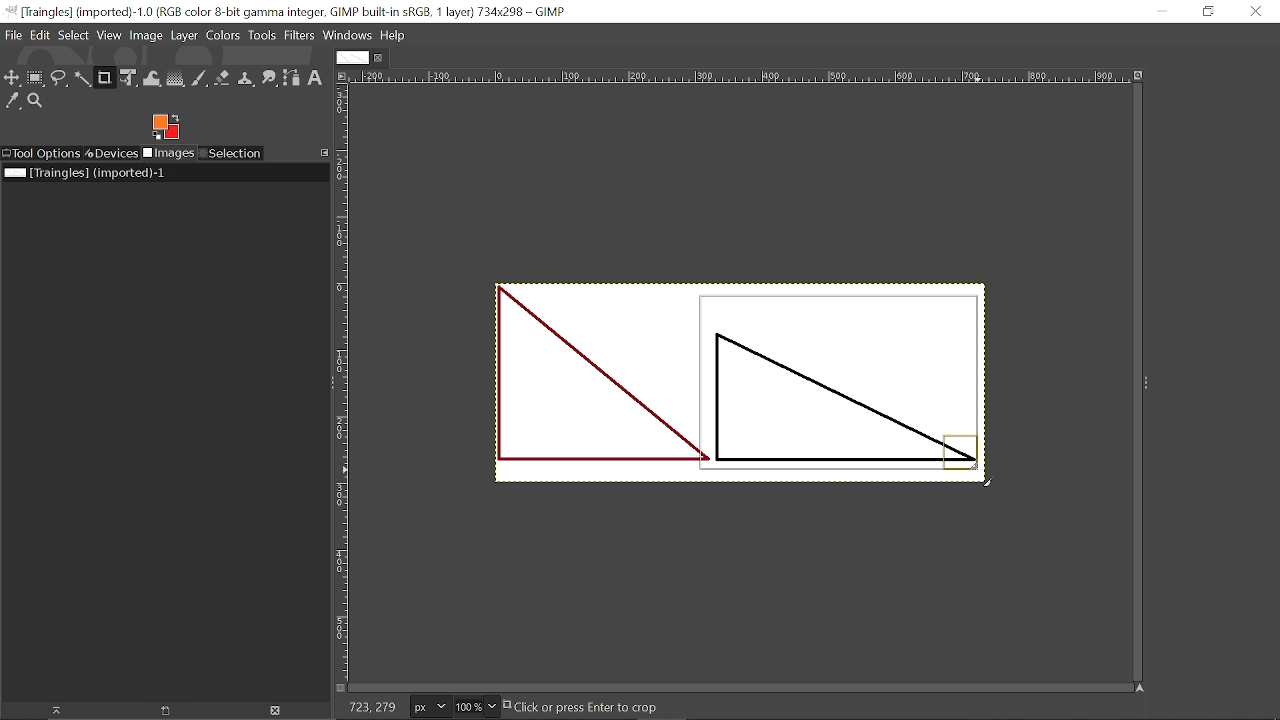 Image resolution: width=1280 pixels, height=720 pixels. What do you see at coordinates (996, 480) in the screenshot?
I see `cursor` at bounding box center [996, 480].